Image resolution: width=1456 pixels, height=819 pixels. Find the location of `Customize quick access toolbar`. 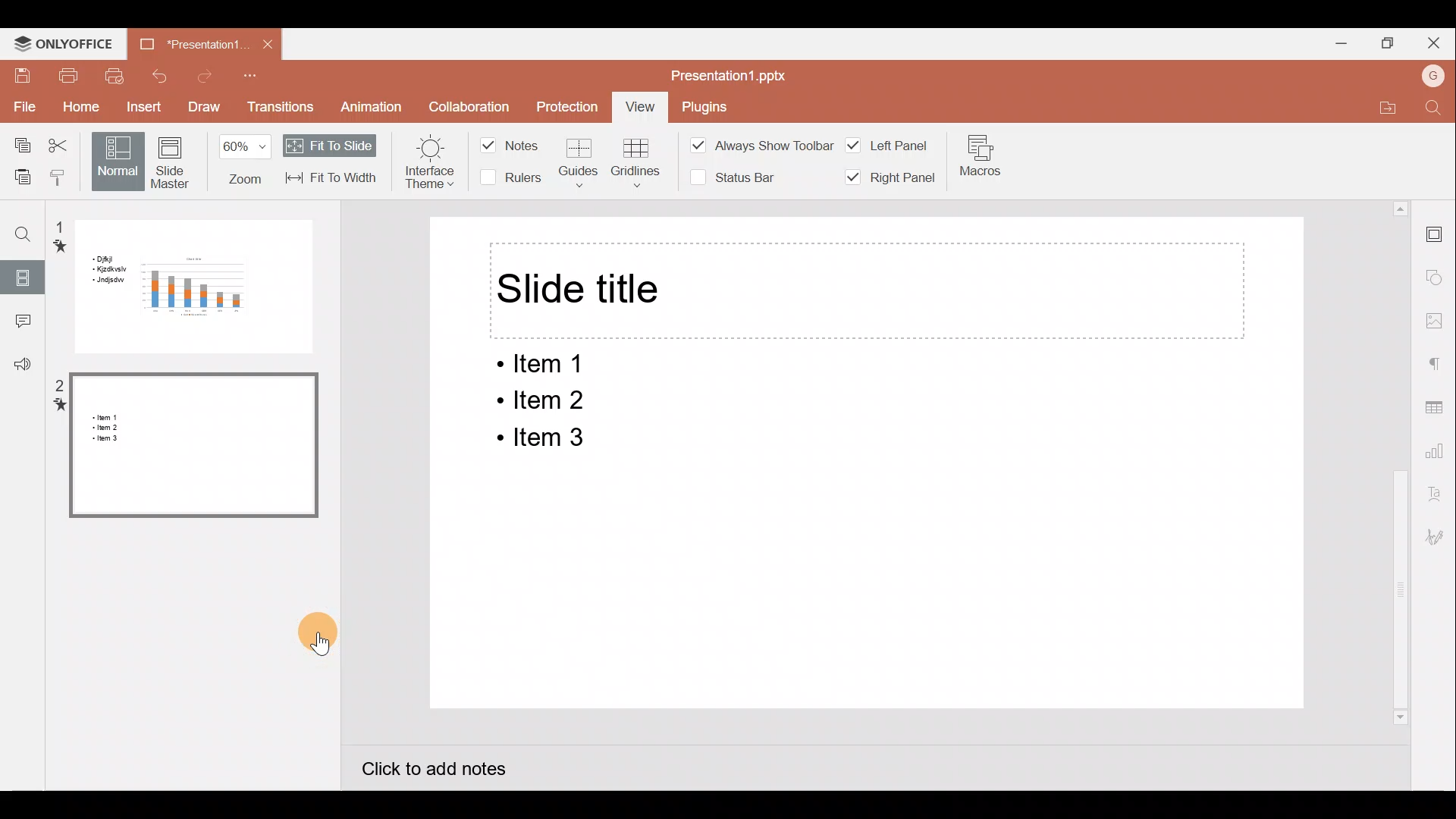

Customize quick access toolbar is located at coordinates (252, 77).